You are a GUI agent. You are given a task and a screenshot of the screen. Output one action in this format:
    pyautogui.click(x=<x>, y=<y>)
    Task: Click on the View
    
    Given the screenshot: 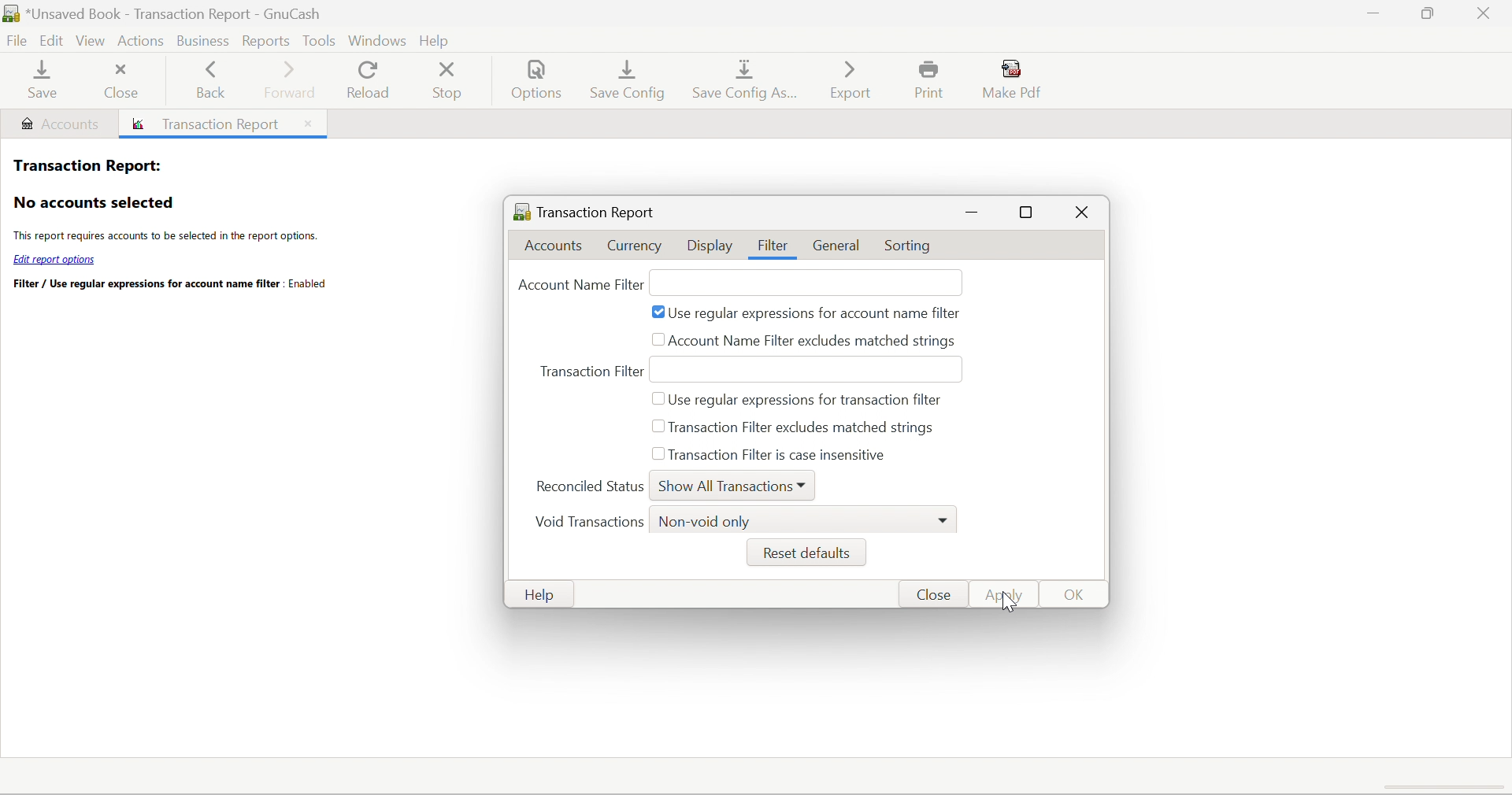 What is the action you would take?
    pyautogui.click(x=93, y=42)
    